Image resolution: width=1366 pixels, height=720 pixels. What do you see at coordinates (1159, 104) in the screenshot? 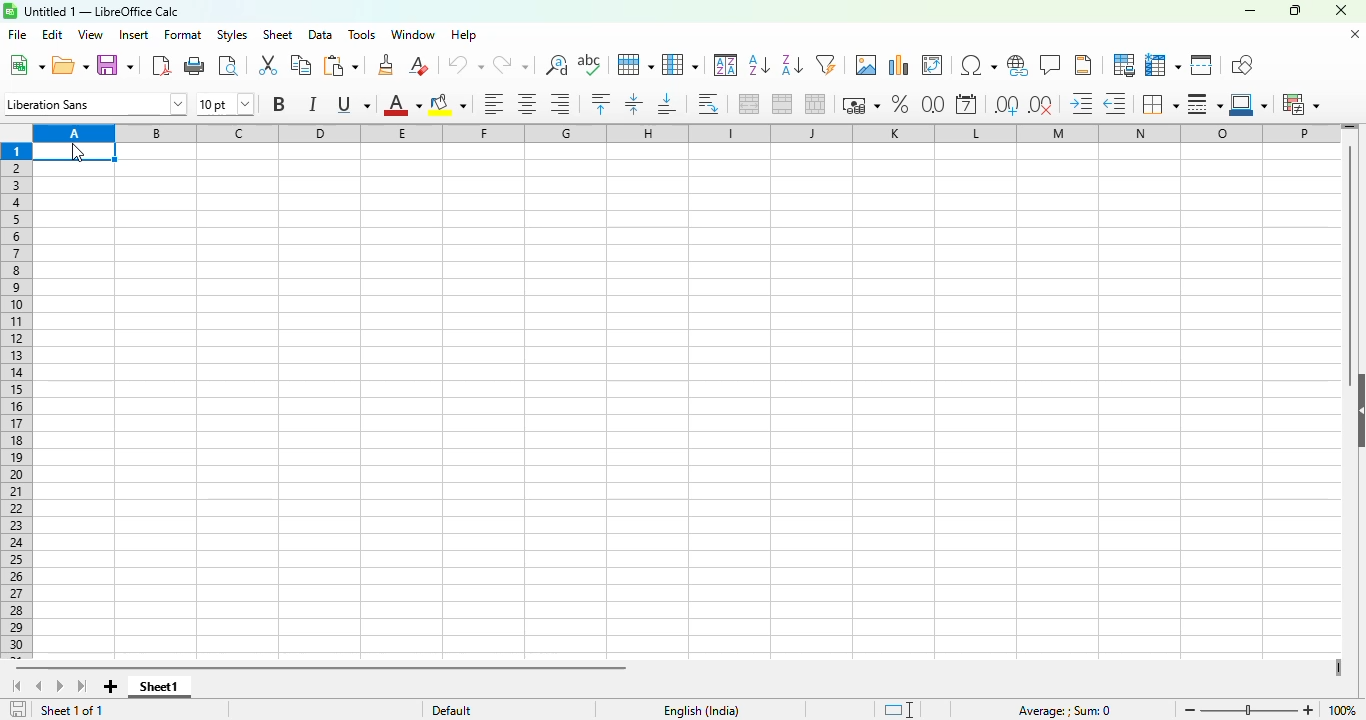
I see `borders` at bounding box center [1159, 104].